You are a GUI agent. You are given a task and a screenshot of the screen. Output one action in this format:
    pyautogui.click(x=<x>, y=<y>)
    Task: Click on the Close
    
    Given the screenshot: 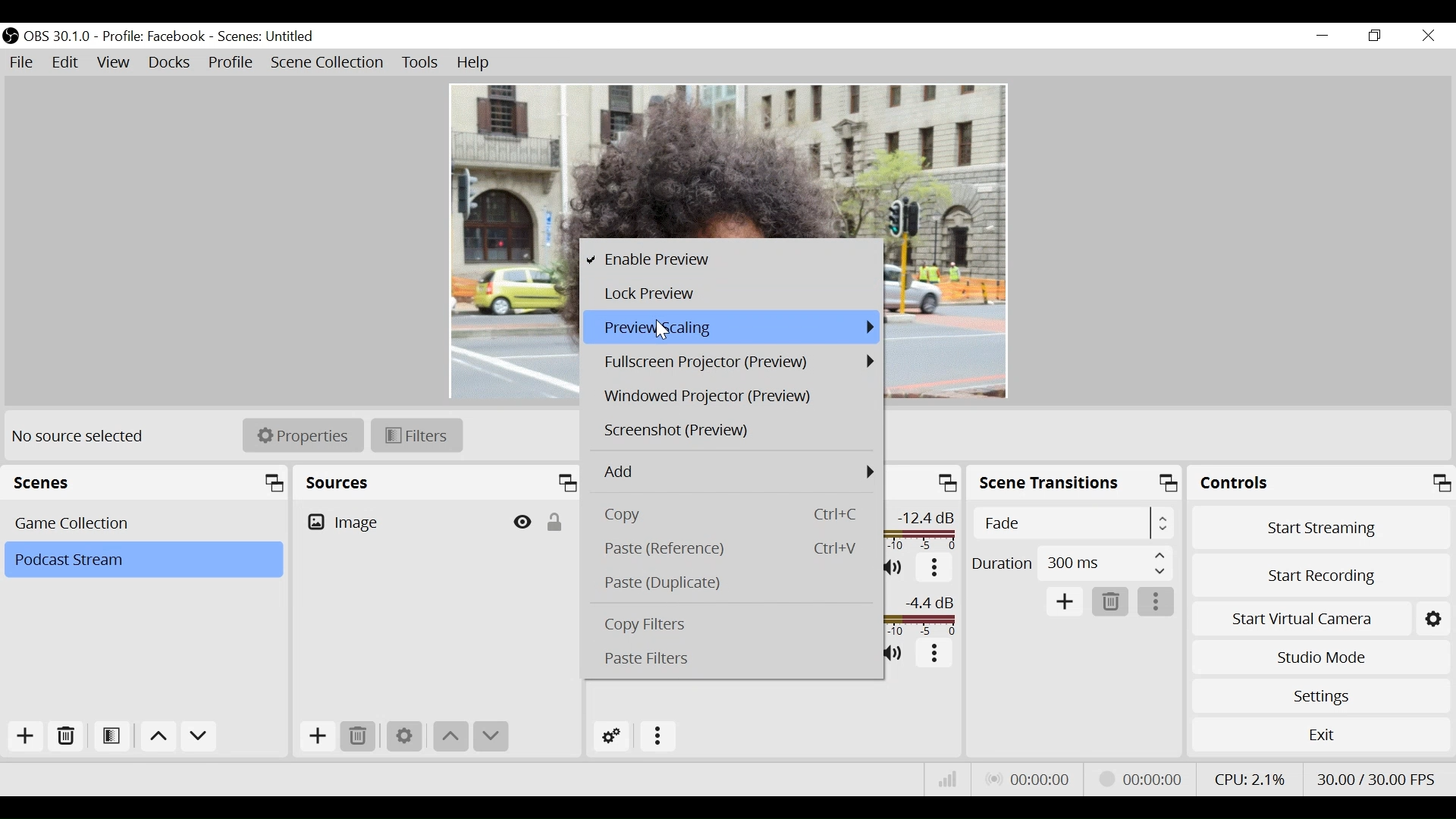 What is the action you would take?
    pyautogui.click(x=1431, y=35)
    